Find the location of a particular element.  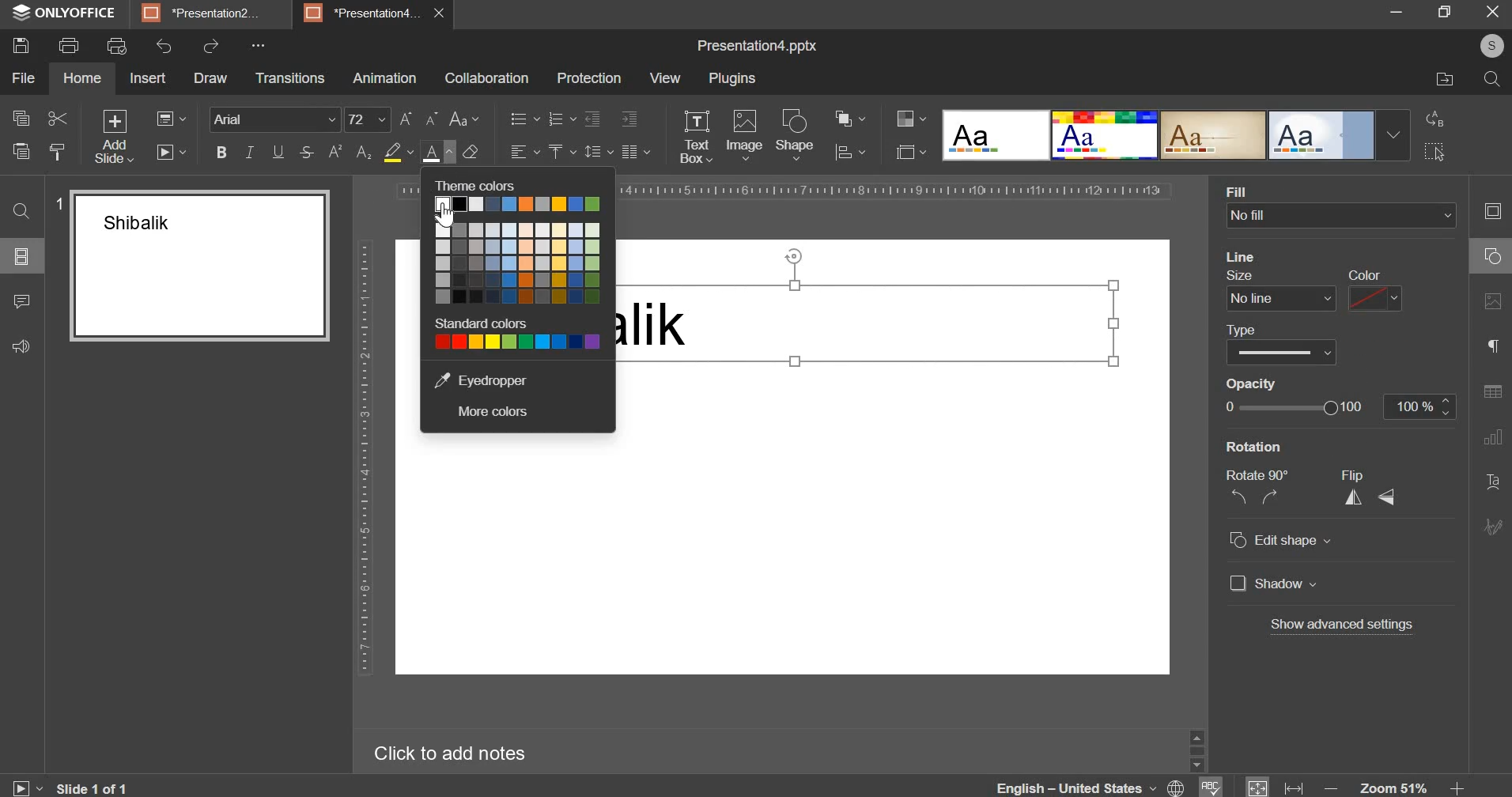

replace is located at coordinates (1438, 119).